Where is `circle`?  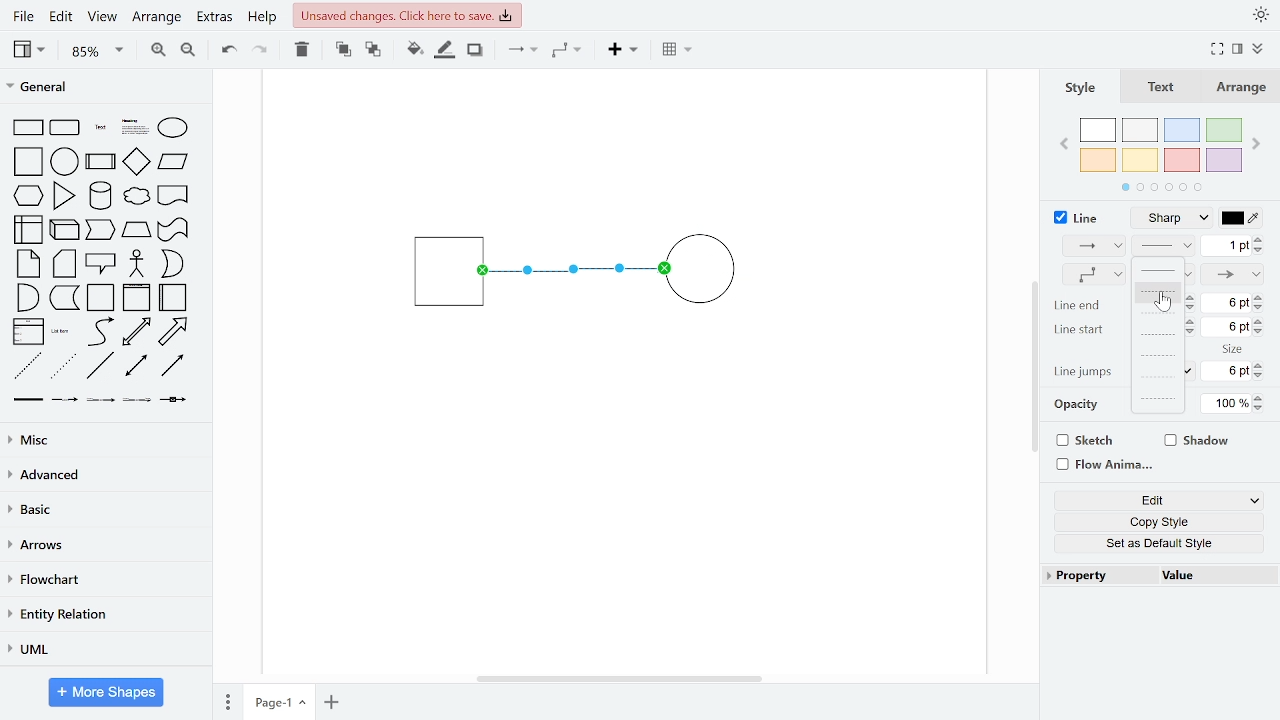
circle is located at coordinates (65, 161).